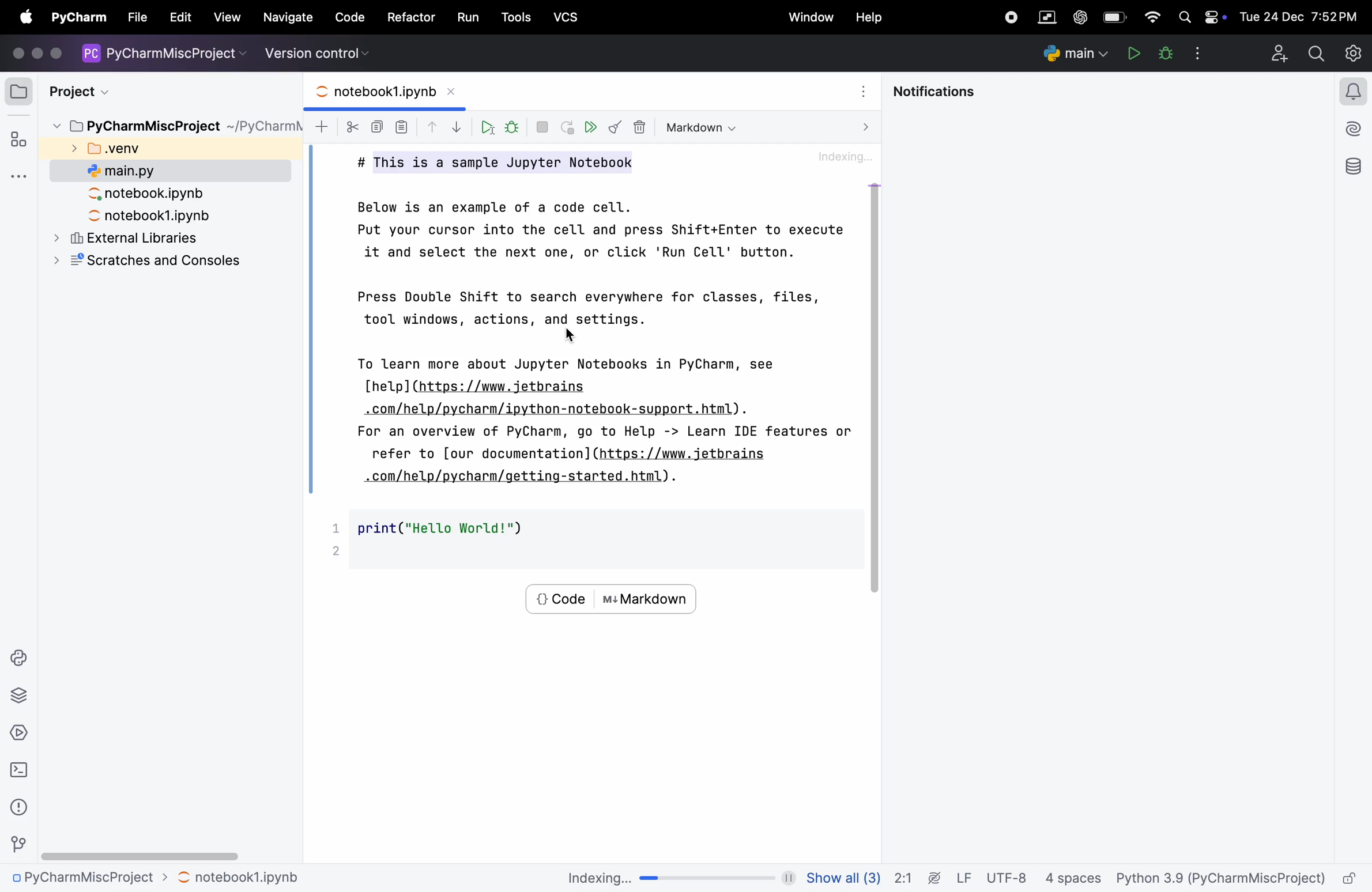 The image size is (1372, 892). What do you see at coordinates (80, 17) in the screenshot?
I see `pycharm` at bounding box center [80, 17].